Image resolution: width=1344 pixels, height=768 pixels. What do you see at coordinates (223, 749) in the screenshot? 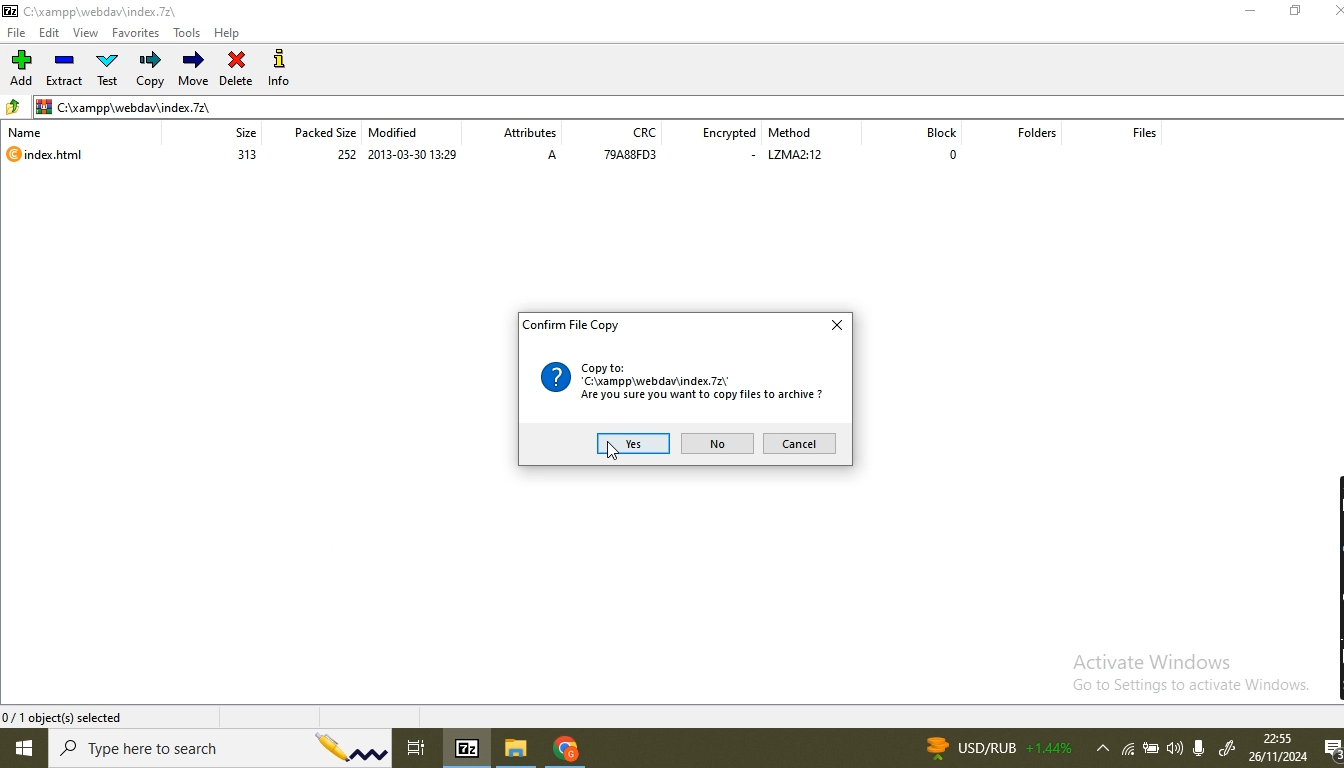
I see `search bar` at bounding box center [223, 749].